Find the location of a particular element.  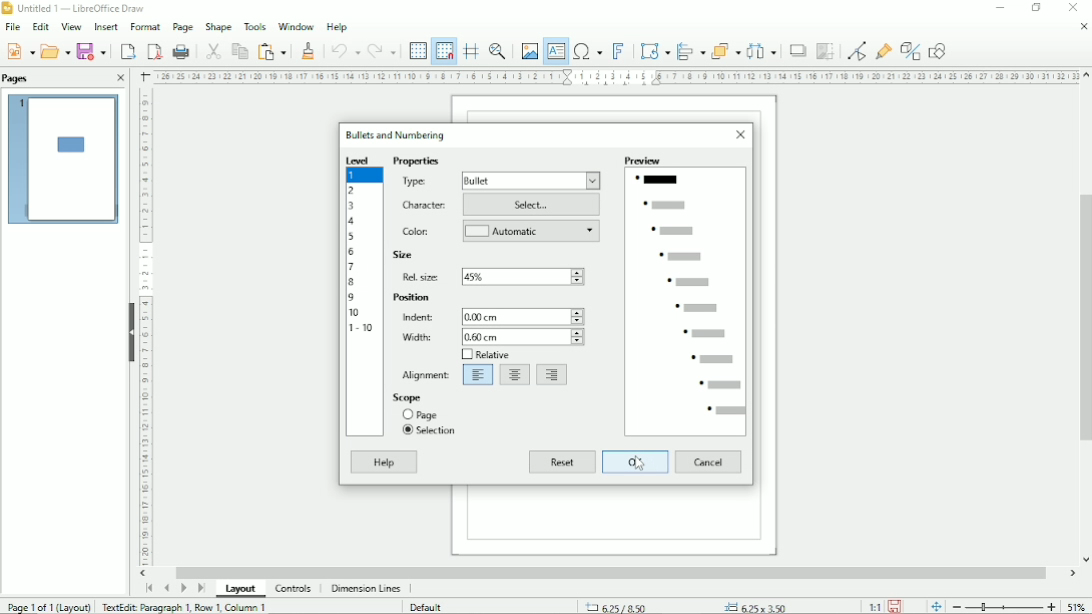

Save is located at coordinates (92, 51).